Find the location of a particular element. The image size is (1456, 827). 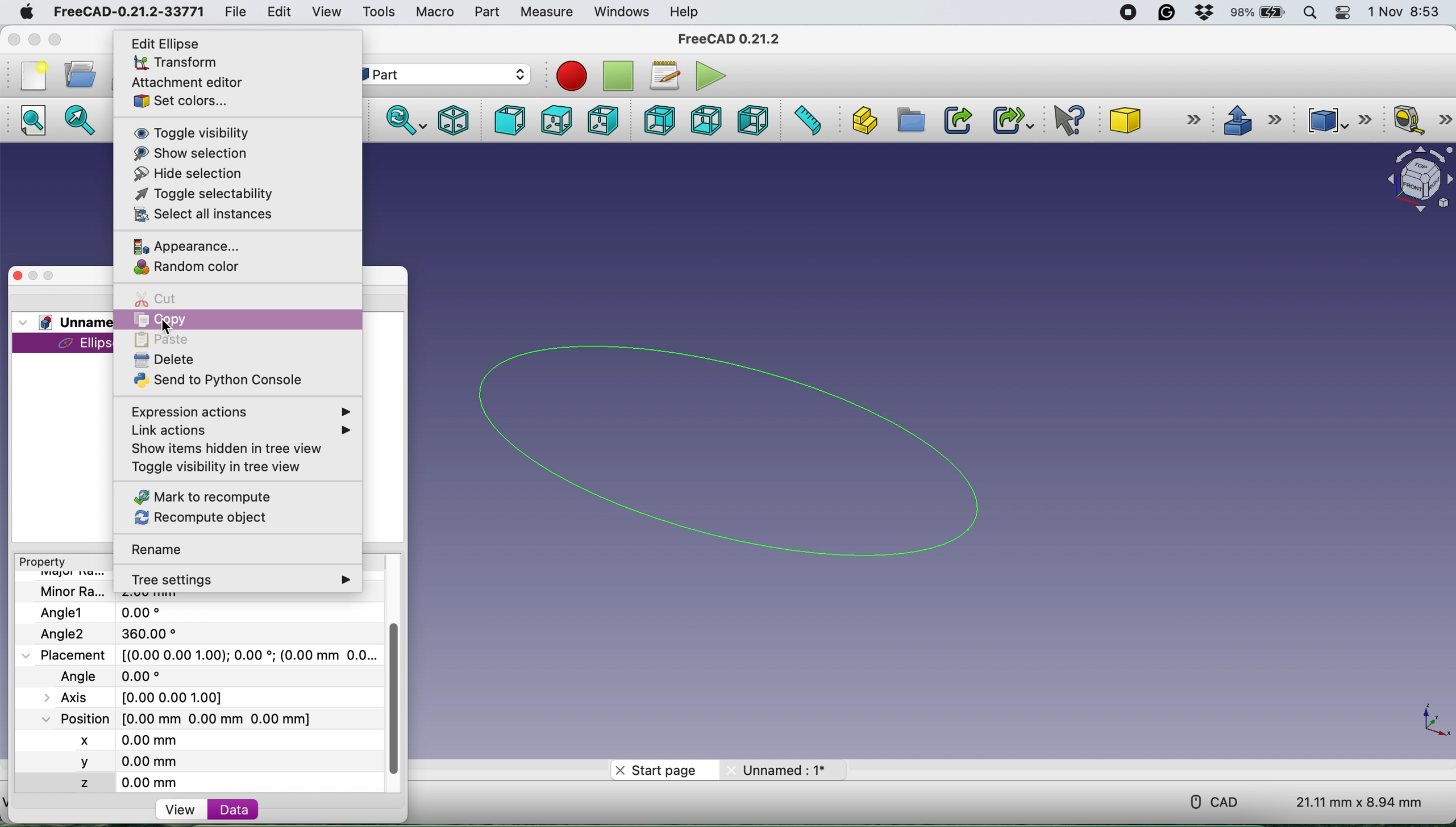

Angle is located at coordinates (117, 633).